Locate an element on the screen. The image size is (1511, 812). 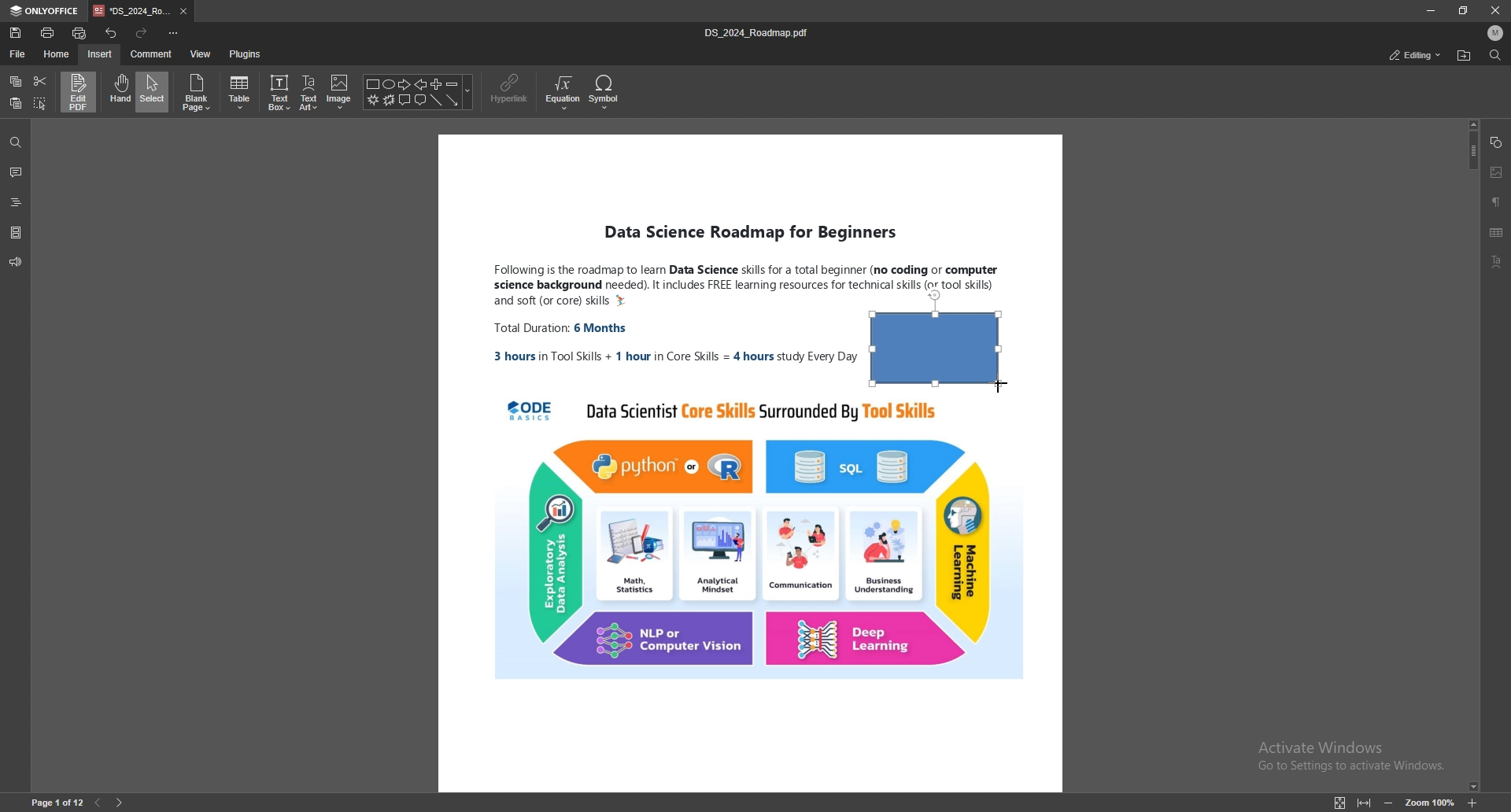
onlyoffice is located at coordinates (46, 11).